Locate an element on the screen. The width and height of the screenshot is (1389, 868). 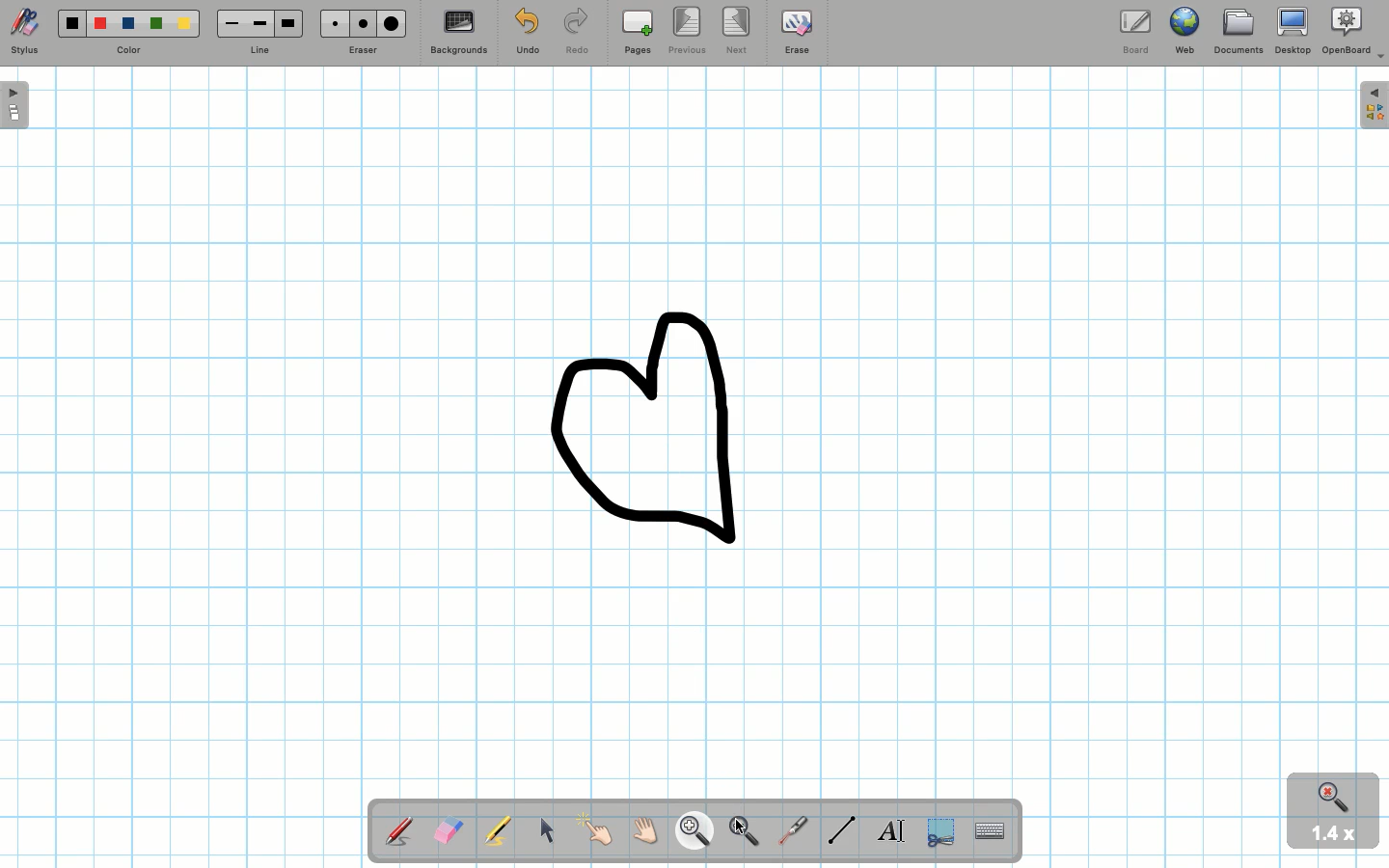
Pages (add) is located at coordinates (635, 32).